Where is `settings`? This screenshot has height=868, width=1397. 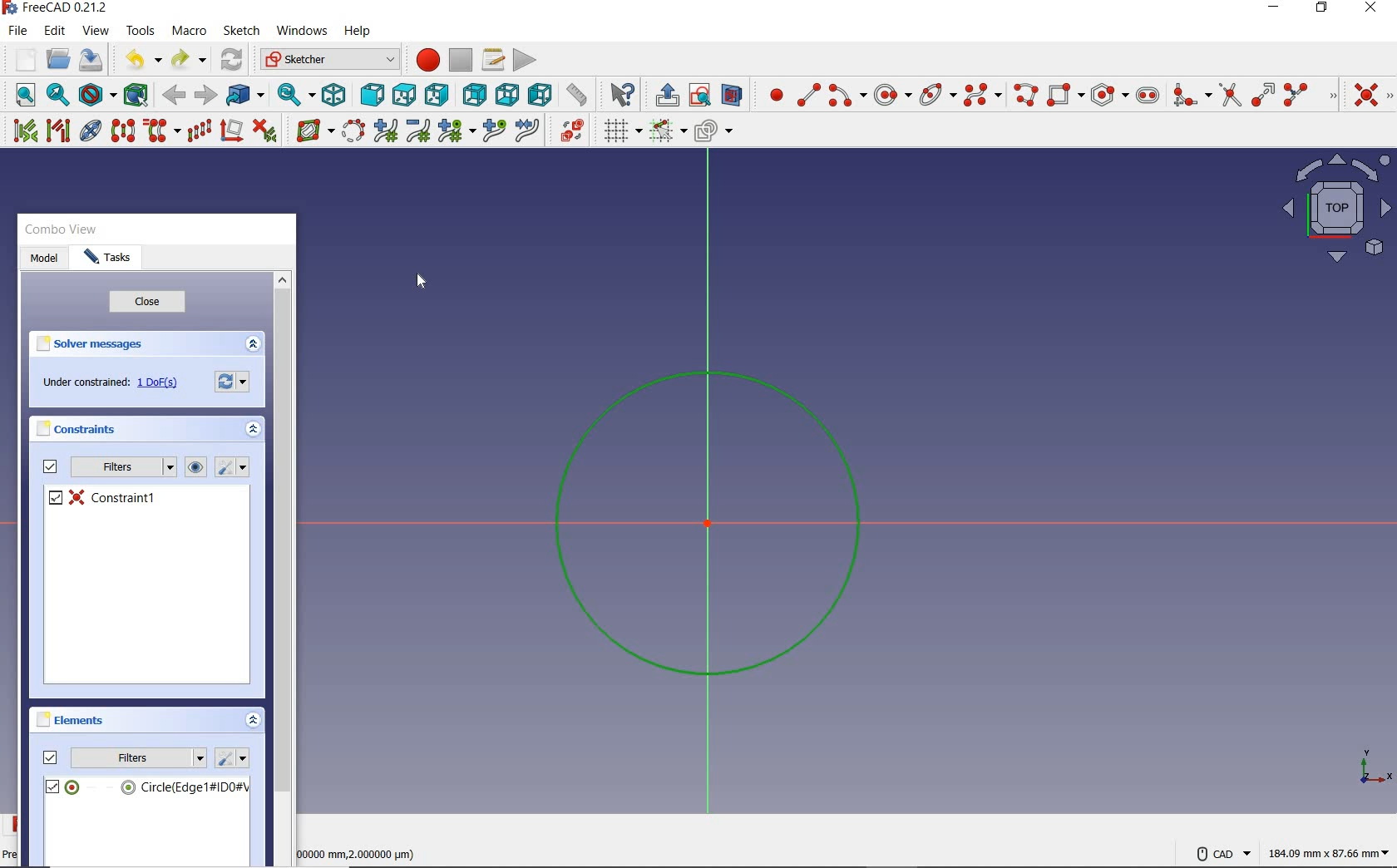 settings is located at coordinates (234, 760).